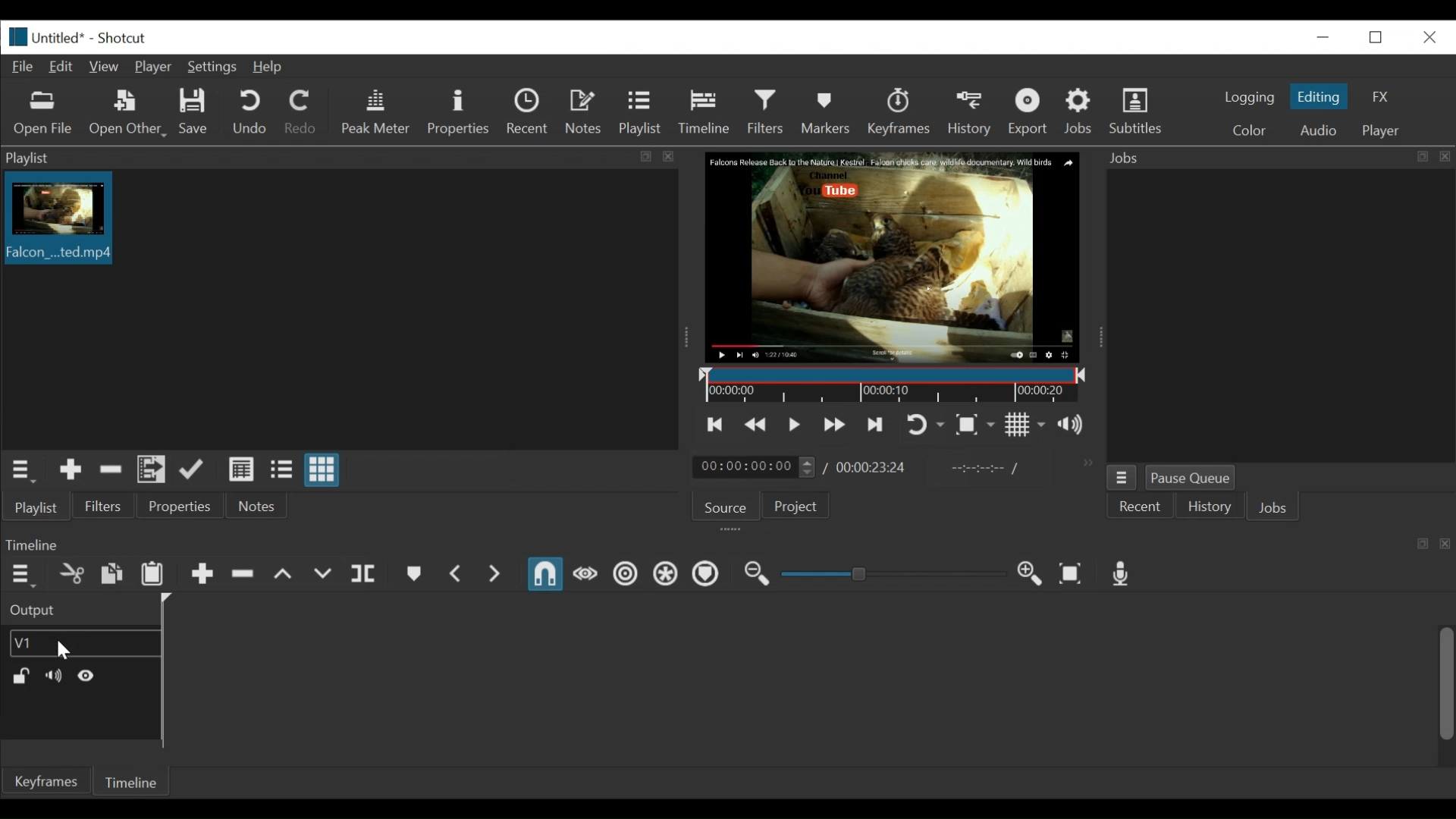  What do you see at coordinates (585, 111) in the screenshot?
I see `Notes` at bounding box center [585, 111].